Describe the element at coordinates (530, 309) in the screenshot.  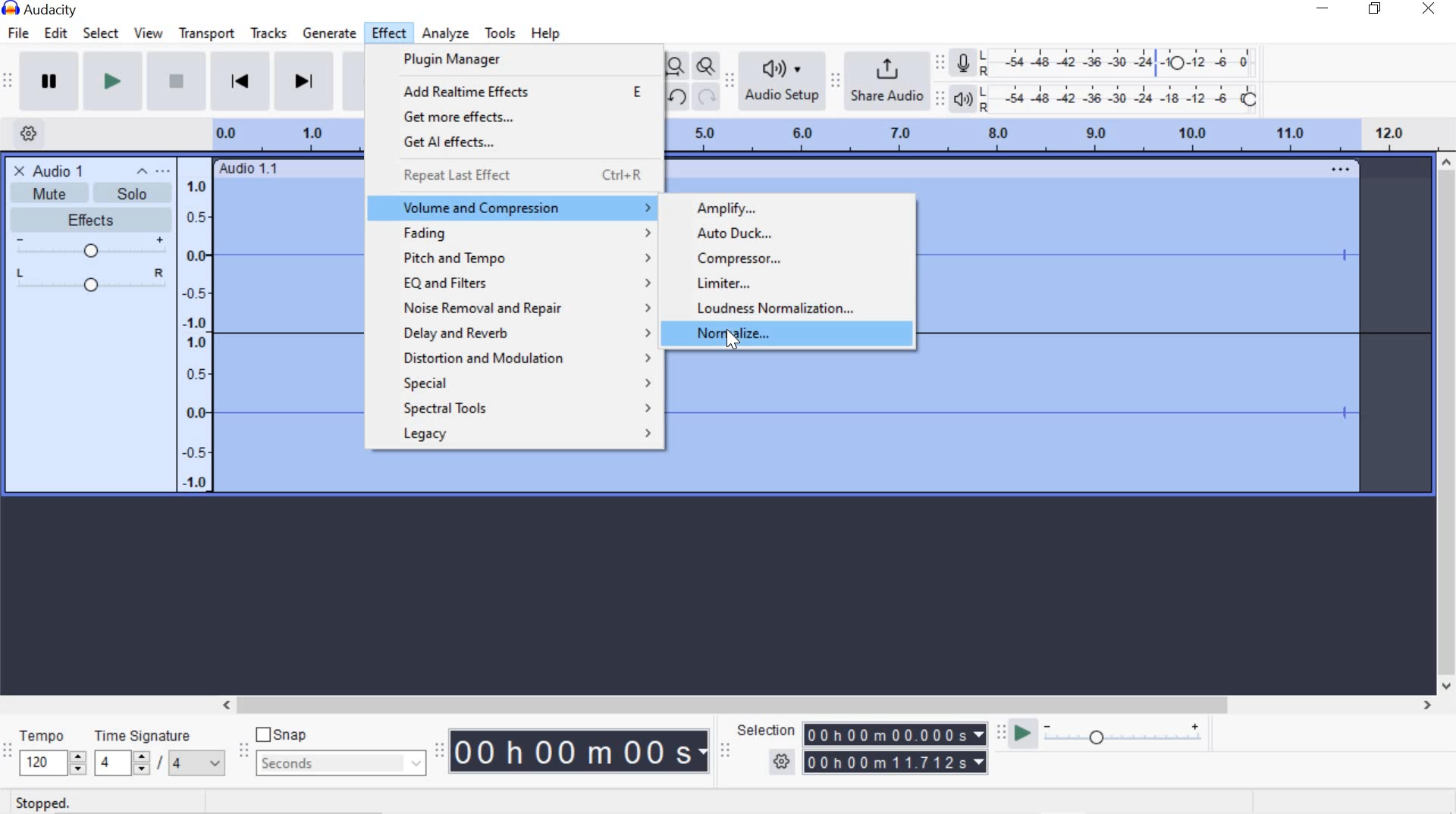
I see `noise removal and repair` at that location.